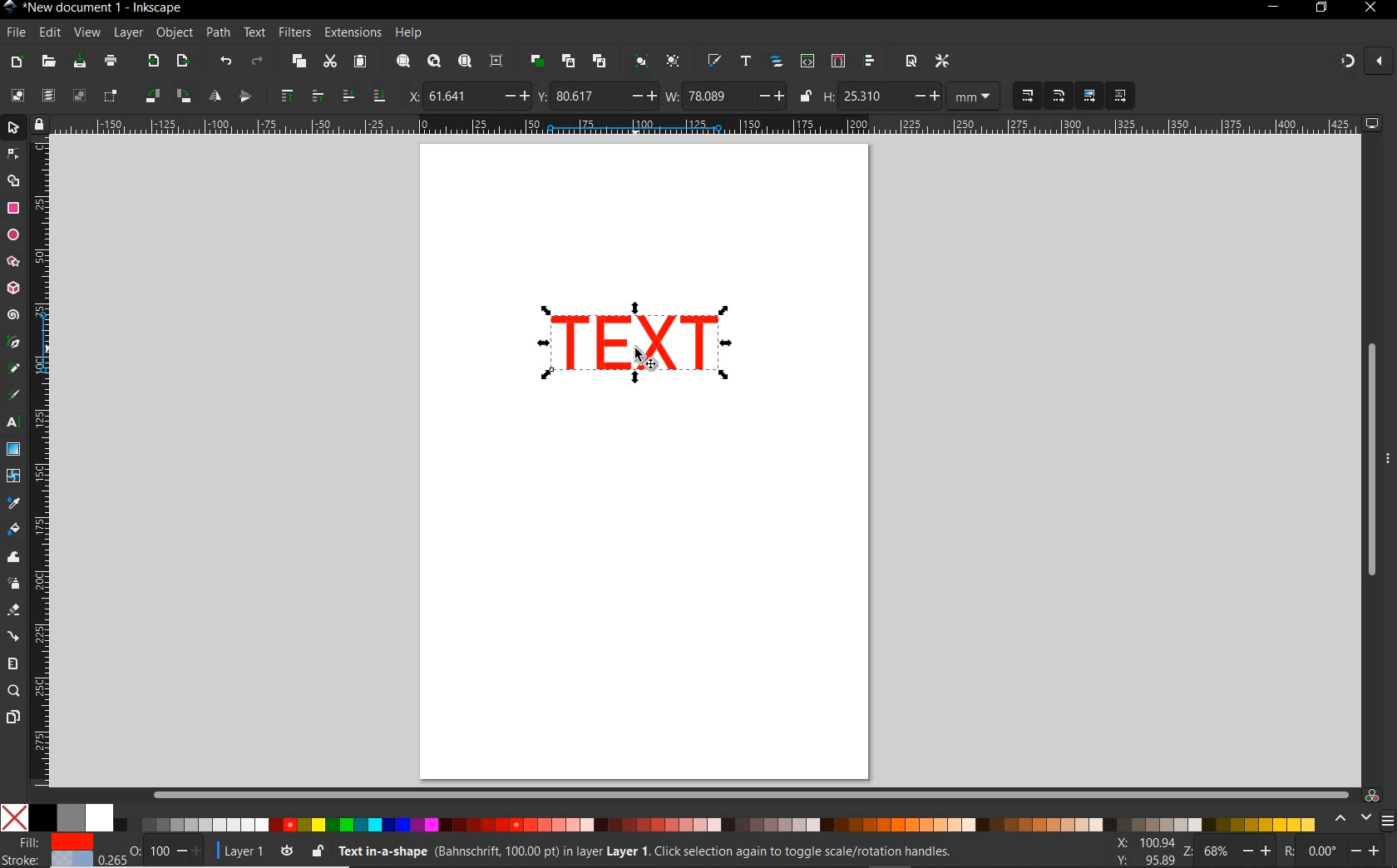 The height and width of the screenshot is (868, 1397). Describe the element at coordinates (806, 62) in the screenshot. I see `open xml editor` at that location.